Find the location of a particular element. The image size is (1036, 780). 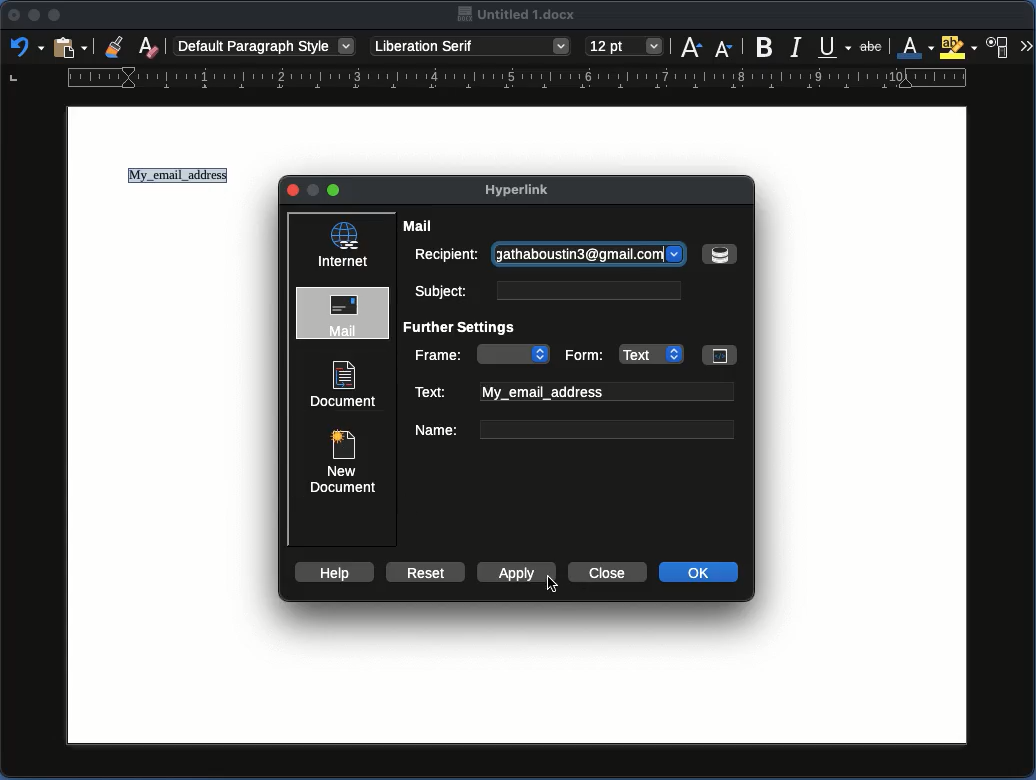

Clipboard is located at coordinates (69, 49).